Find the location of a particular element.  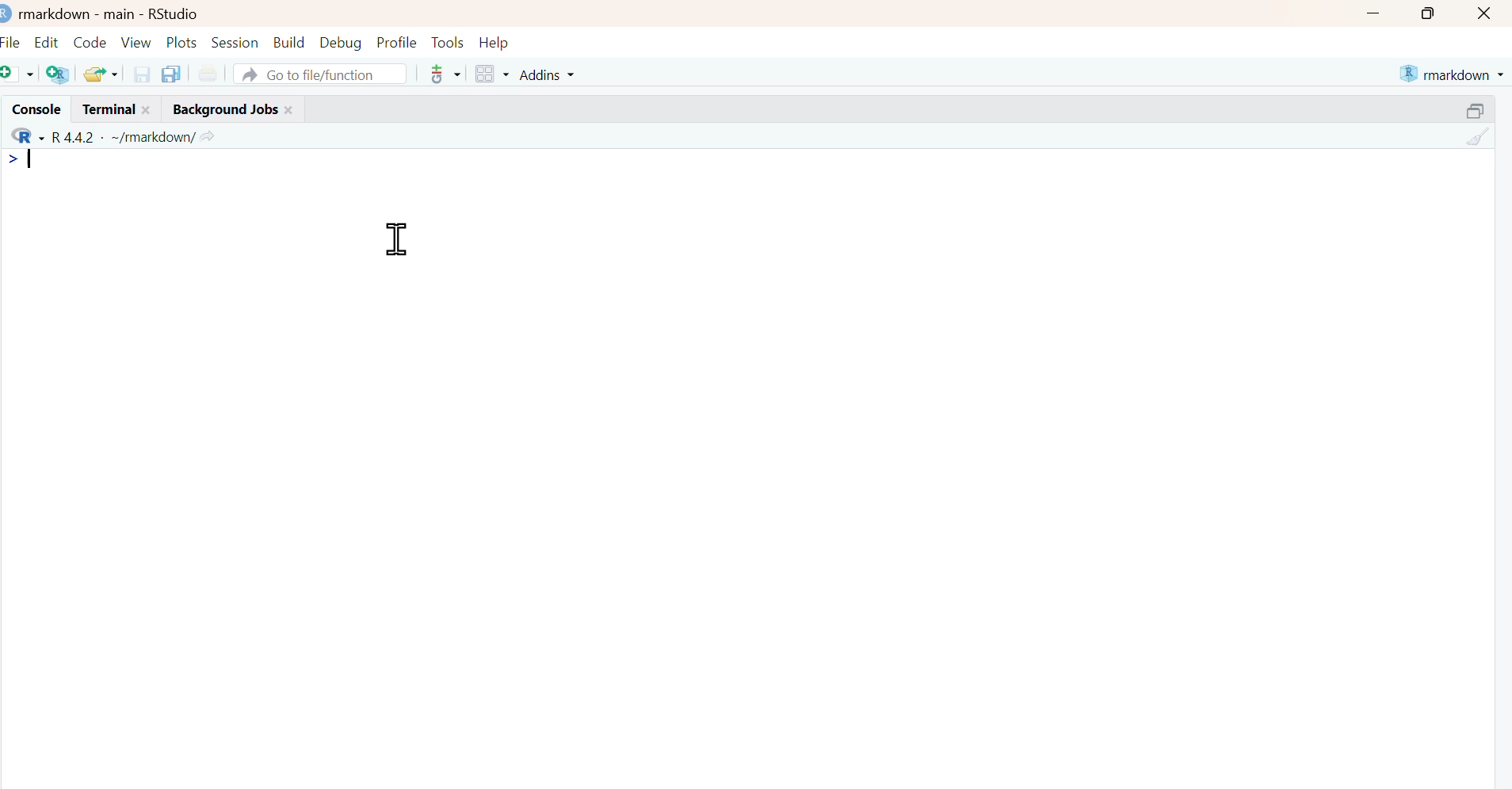

Addins is located at coordinates (550, 74).